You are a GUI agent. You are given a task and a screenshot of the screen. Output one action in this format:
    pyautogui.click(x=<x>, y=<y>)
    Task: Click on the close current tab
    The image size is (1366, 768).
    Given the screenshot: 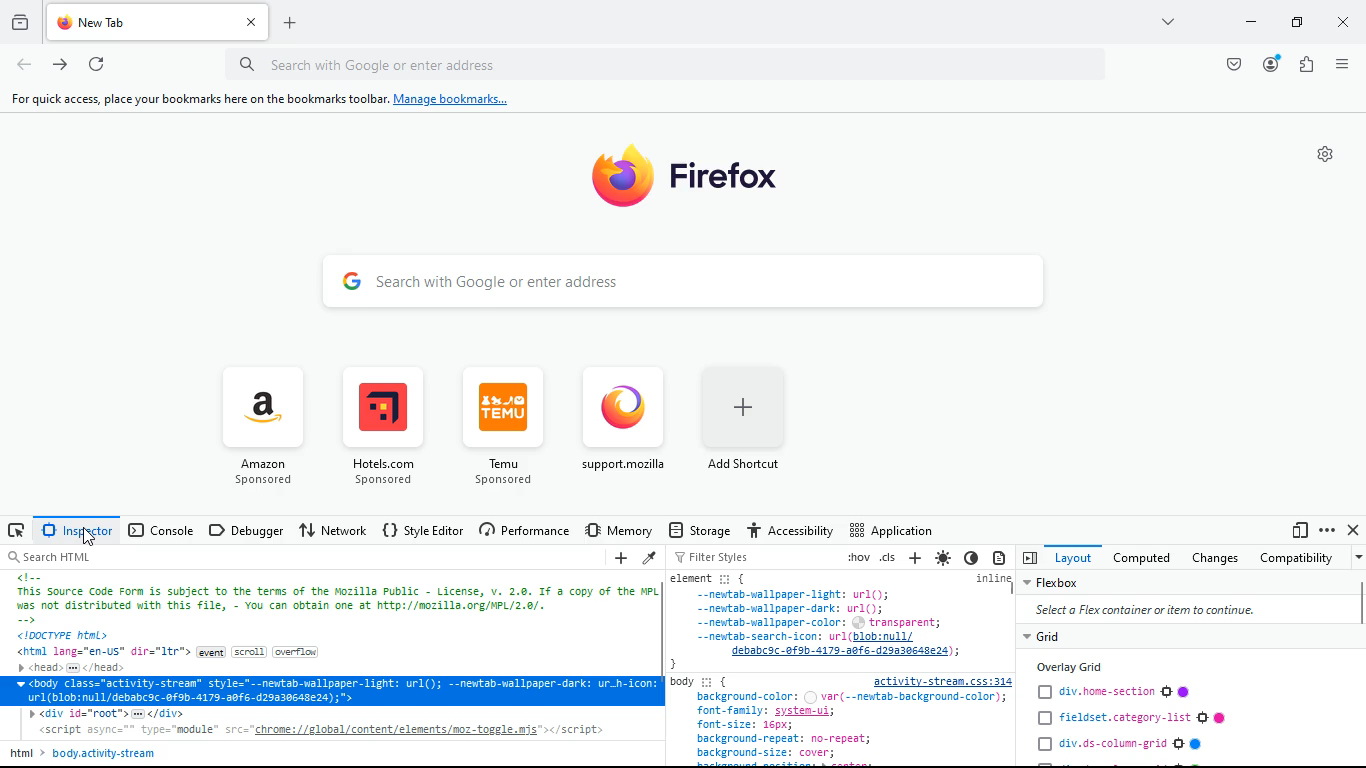 What is the action you would take?
    pyautogui.click(x=250, y=22)
    